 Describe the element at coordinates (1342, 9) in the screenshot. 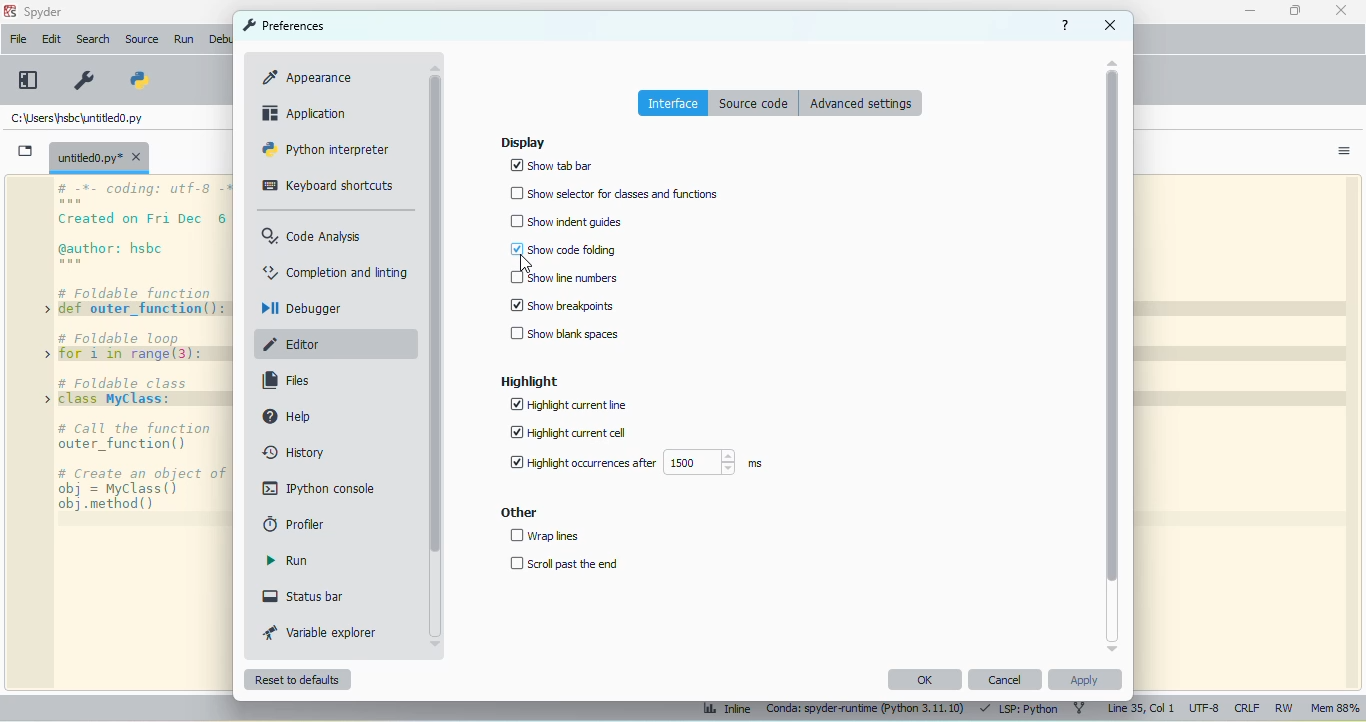

I see `close` at that location.